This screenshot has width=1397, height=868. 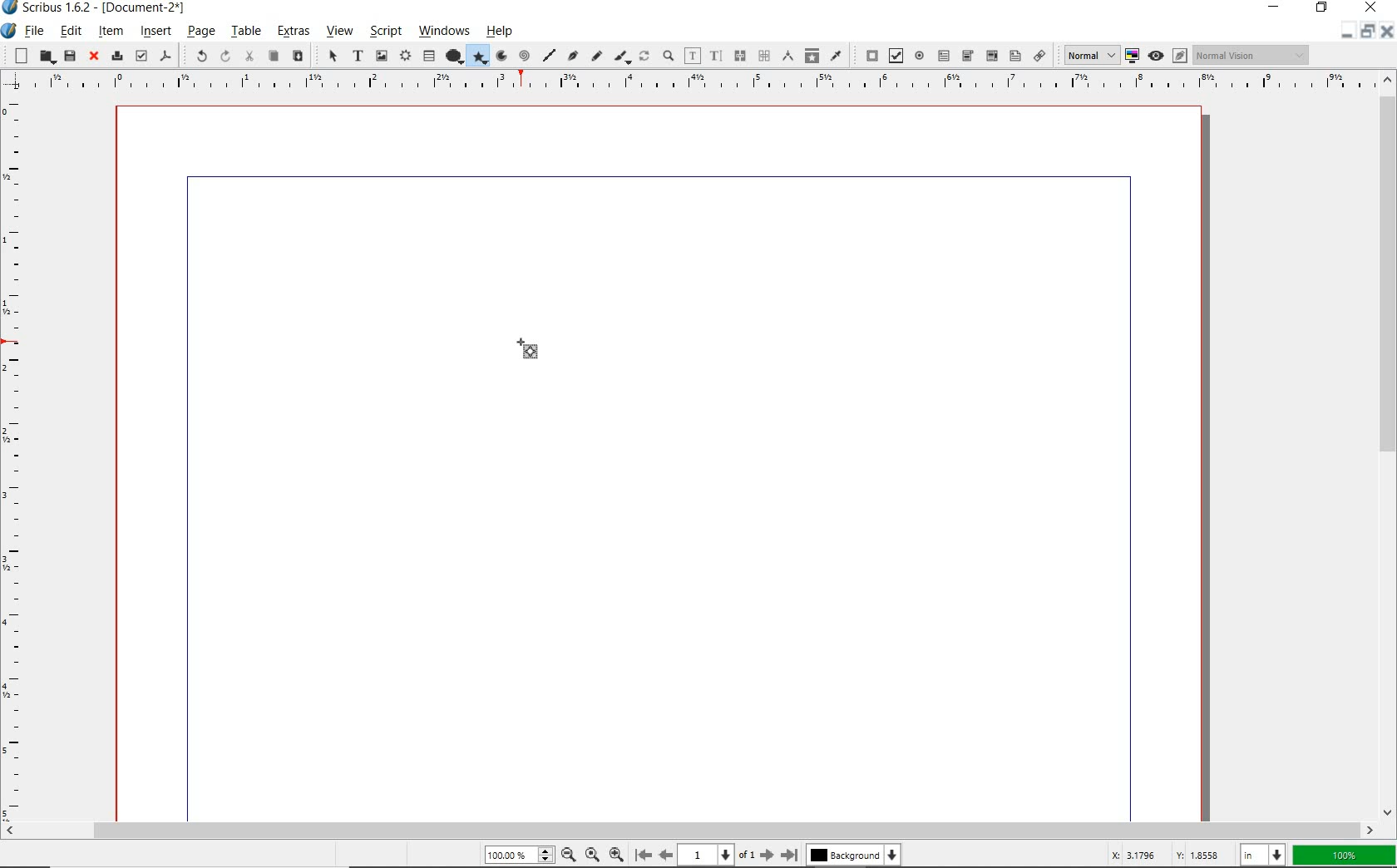 I want to click on page, so click(x=200, y=32).